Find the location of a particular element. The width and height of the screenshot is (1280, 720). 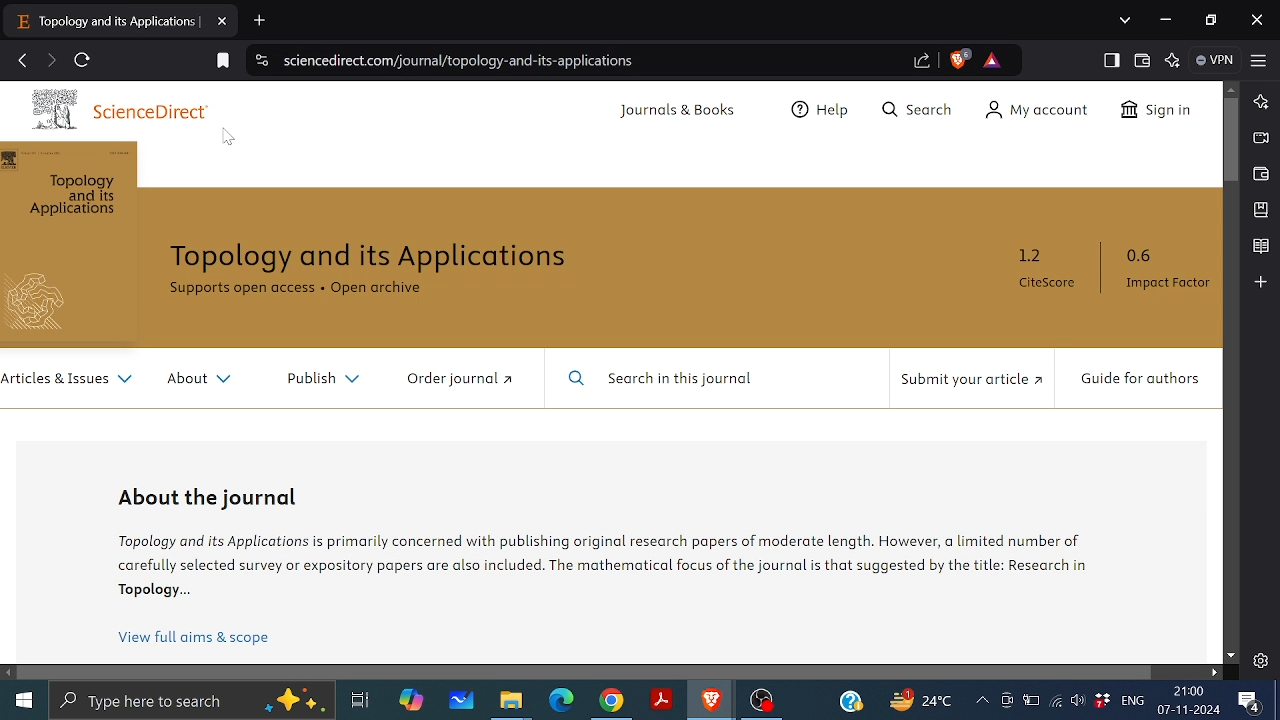

Add bookmark is located at coordinates (224, 60).